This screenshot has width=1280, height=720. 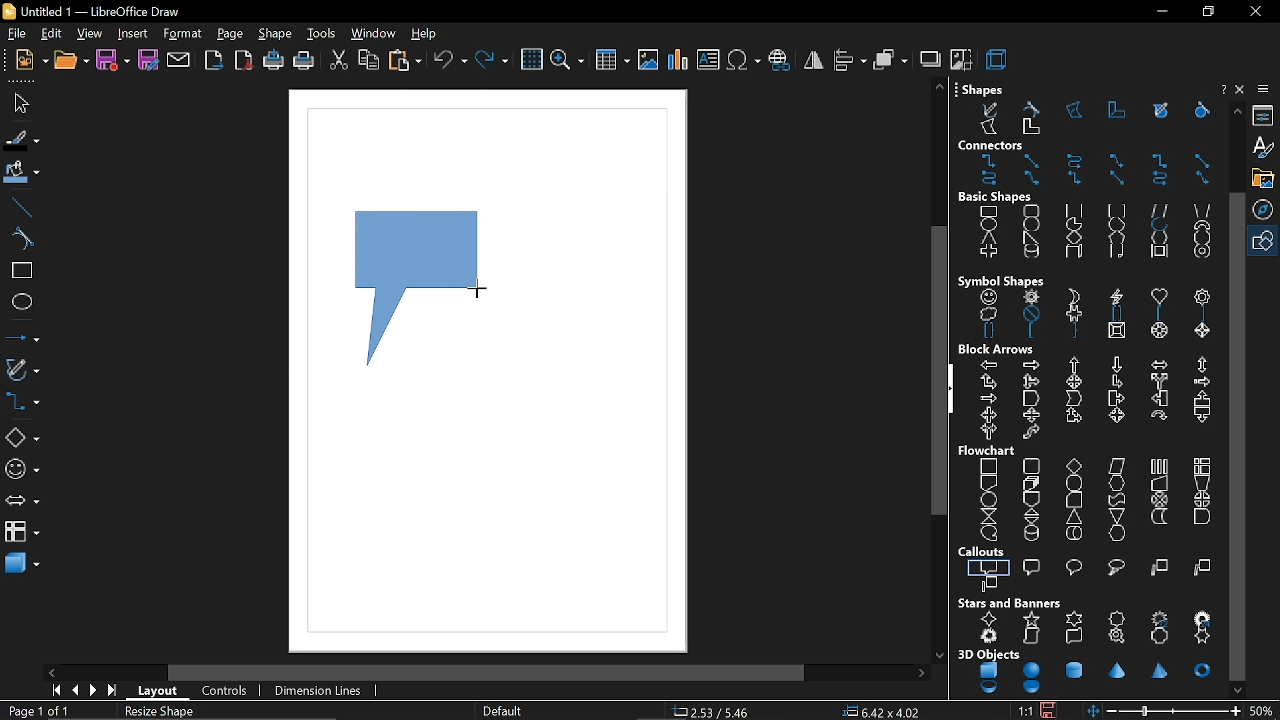 What do you see at coordinates (1115, 365) in the screenshot?
I see `down arrow` at bounding box center [1115, 365].